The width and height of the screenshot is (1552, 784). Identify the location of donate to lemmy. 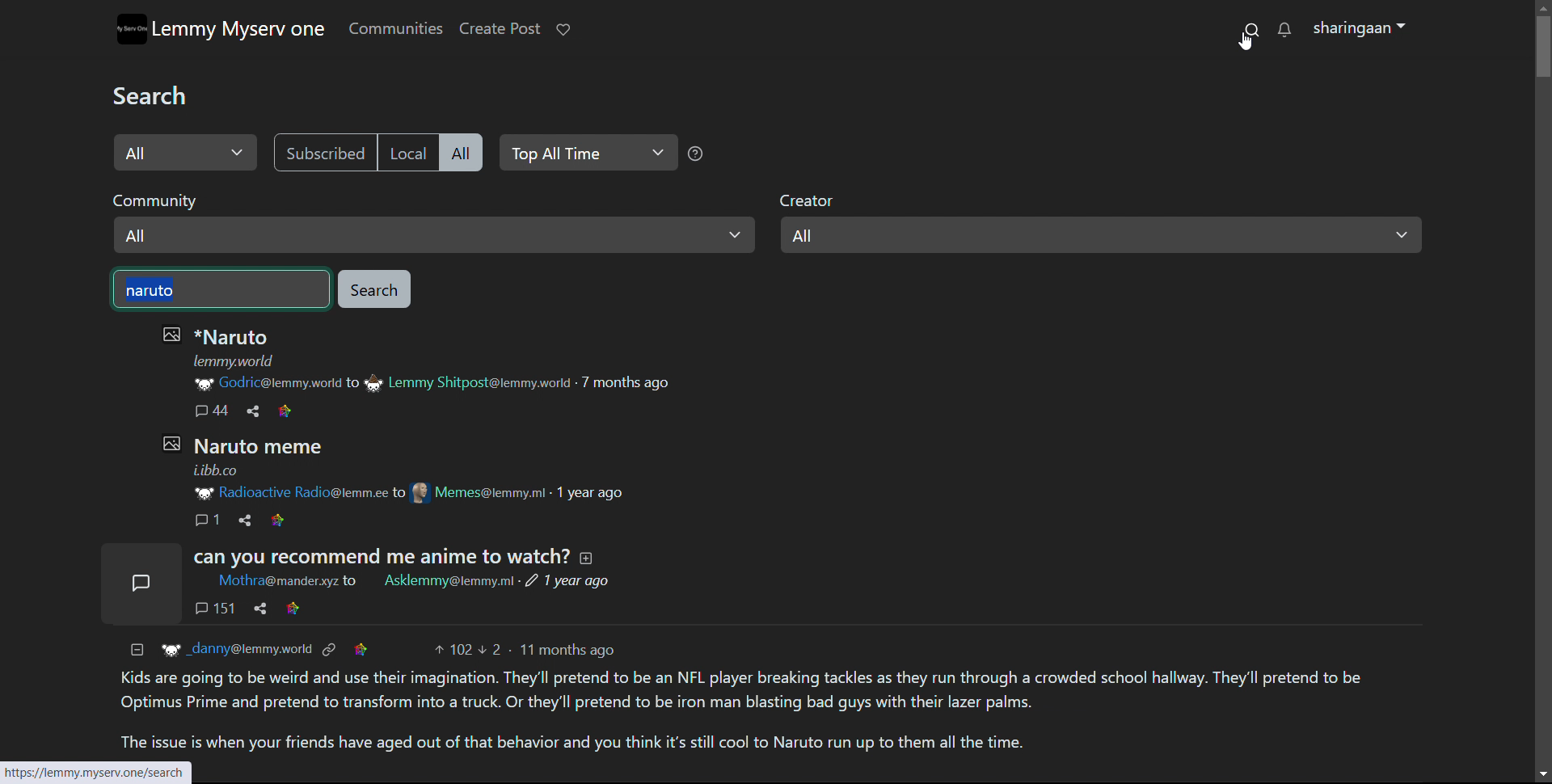
(562, 30).